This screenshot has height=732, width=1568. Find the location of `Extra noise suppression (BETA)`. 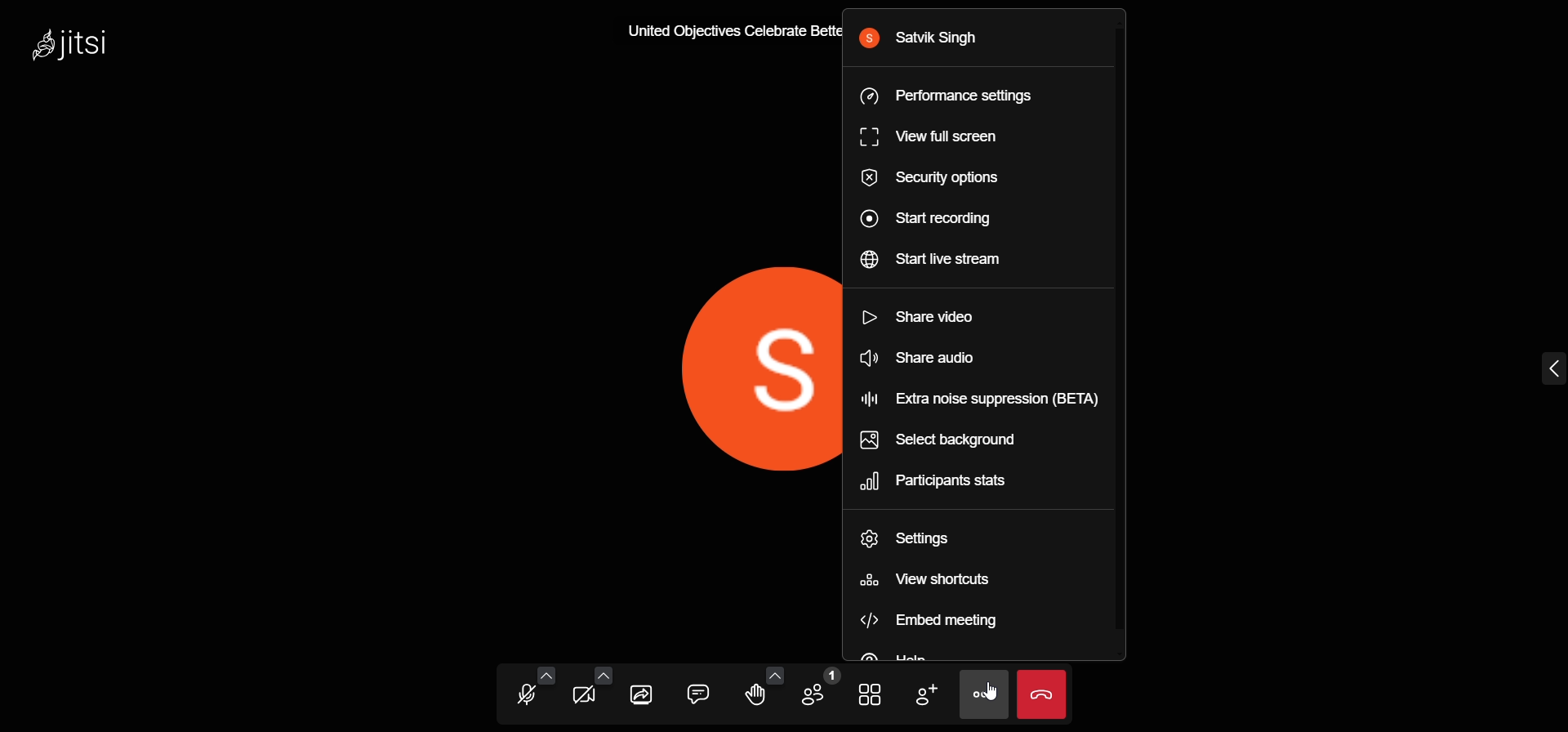

Extra noise suppression (BETA) is located at coordinates (983, 395).